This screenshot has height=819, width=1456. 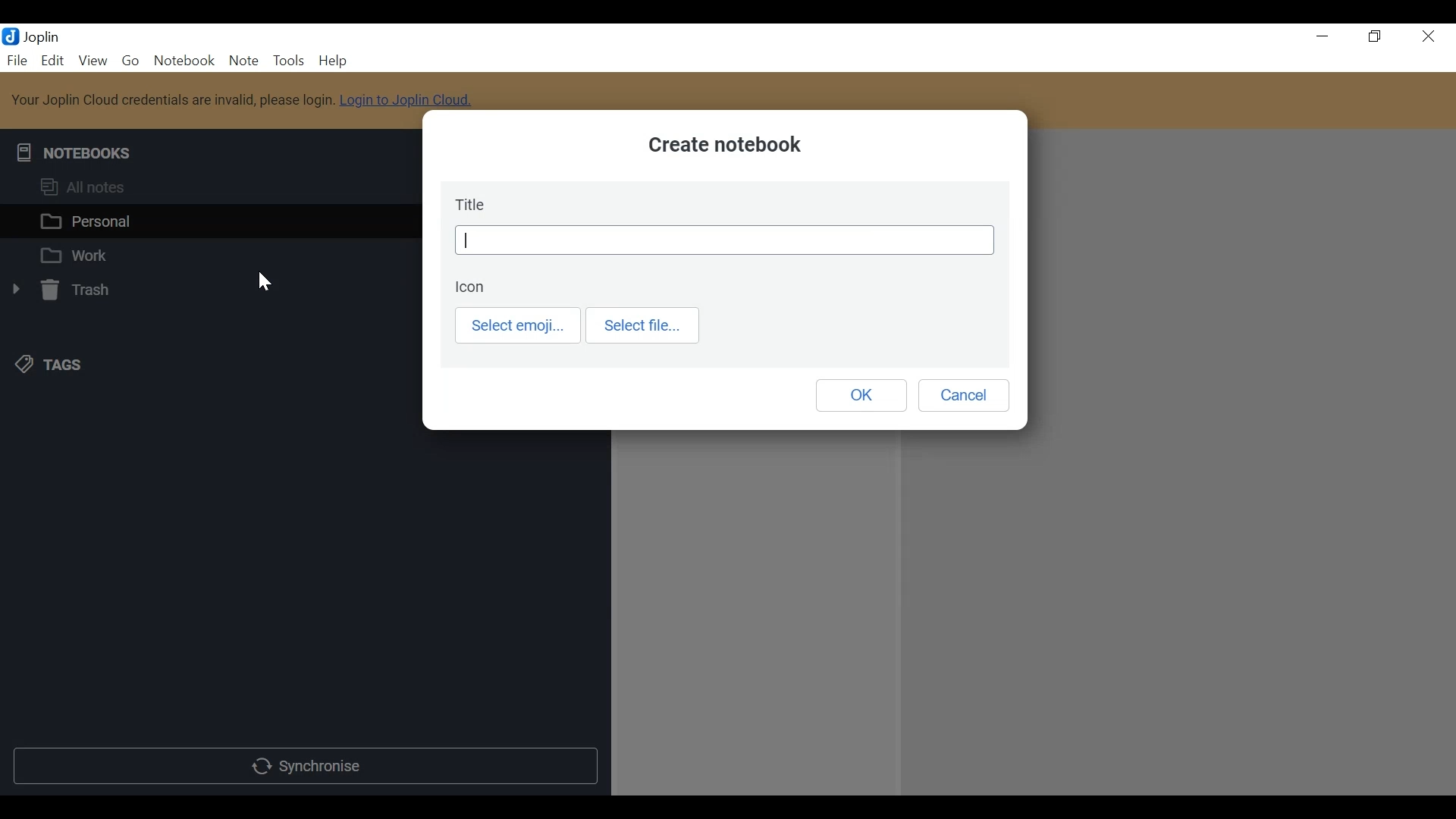 I want to click on Cancel, so click(x=968, y=397).